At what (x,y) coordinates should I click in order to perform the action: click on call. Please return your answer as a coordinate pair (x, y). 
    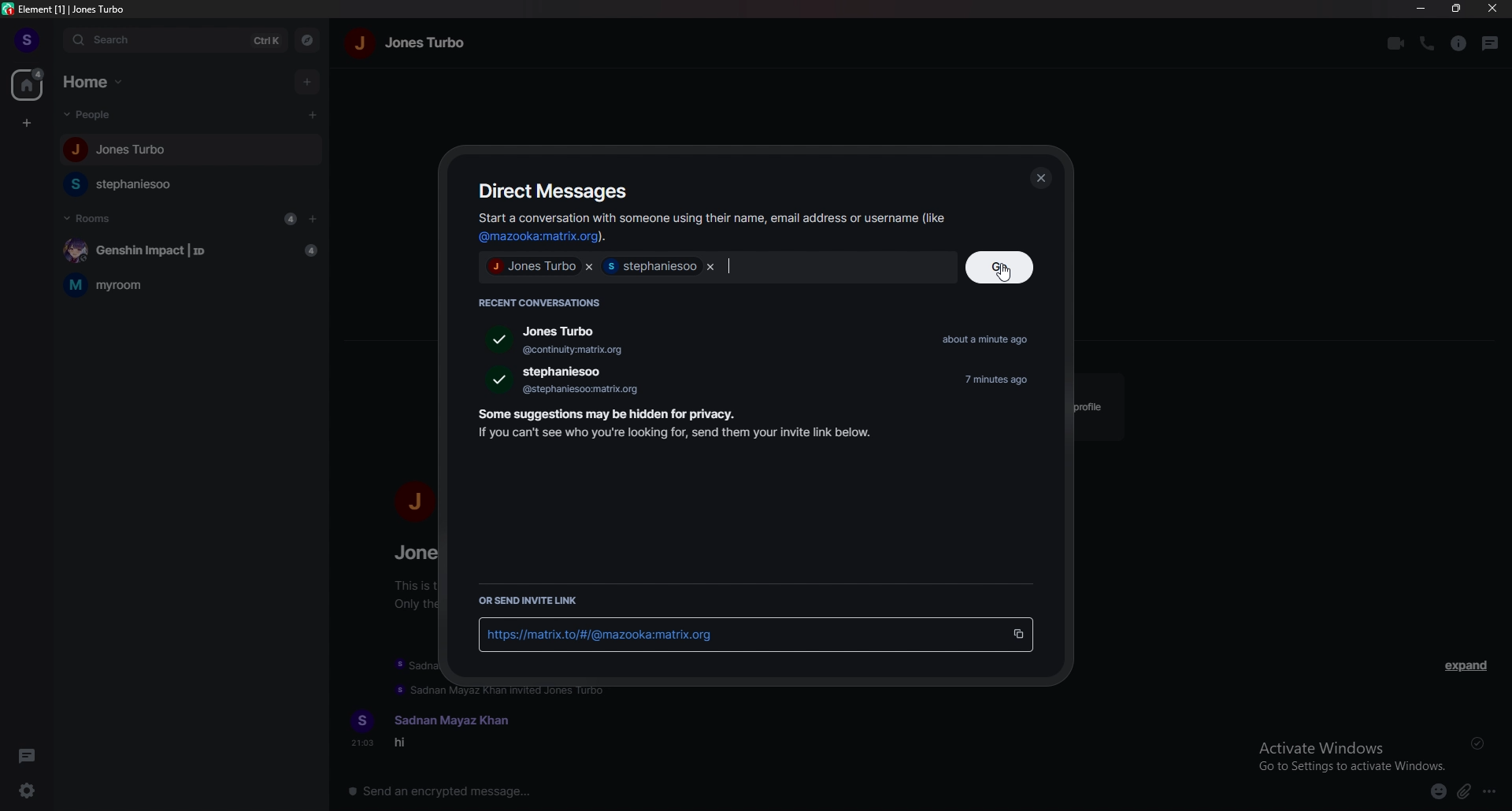
    Looking at the image, I should click on (1427, 43).